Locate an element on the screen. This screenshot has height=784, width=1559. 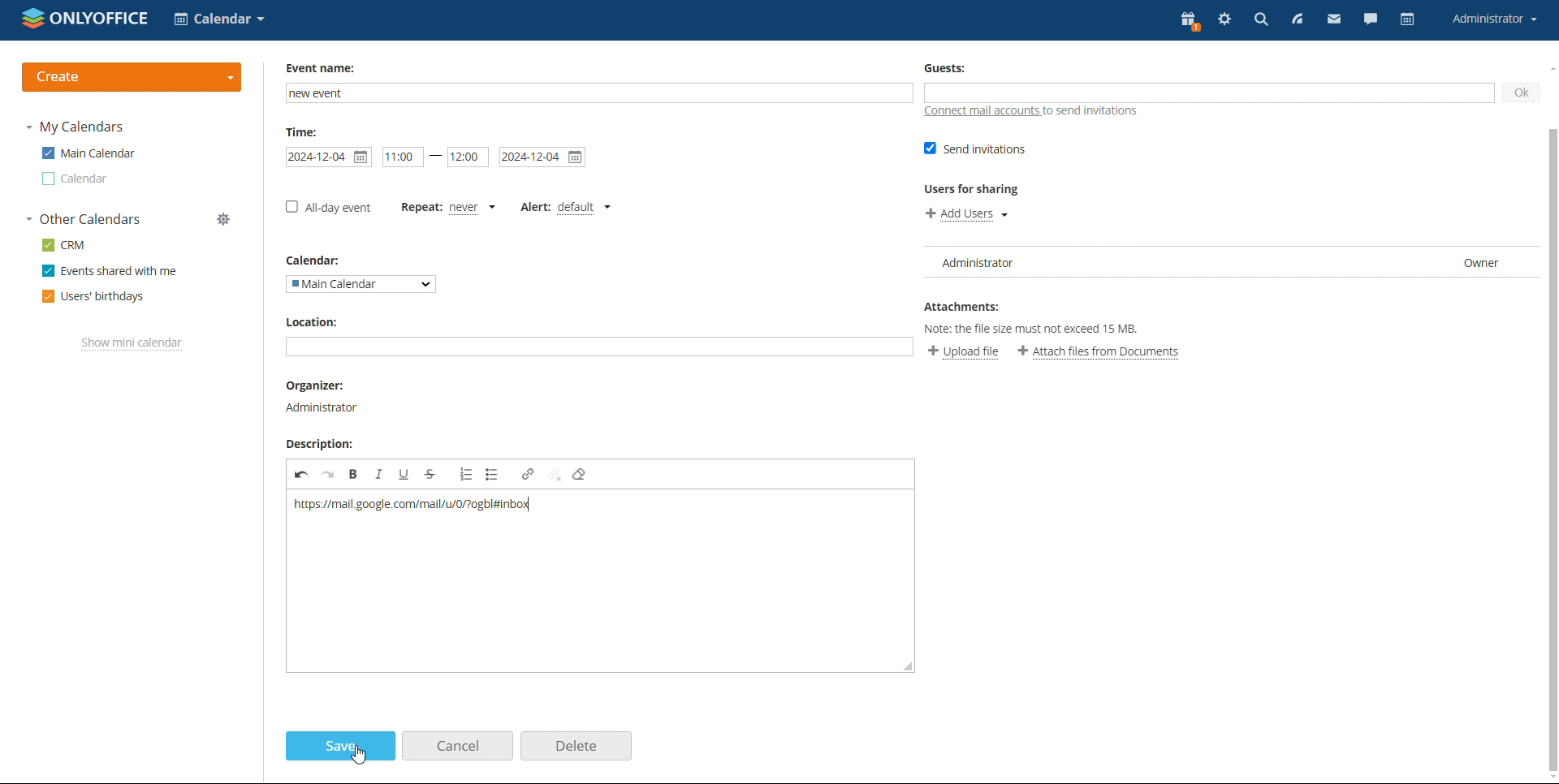
bold is located at coordinates (354, 475).